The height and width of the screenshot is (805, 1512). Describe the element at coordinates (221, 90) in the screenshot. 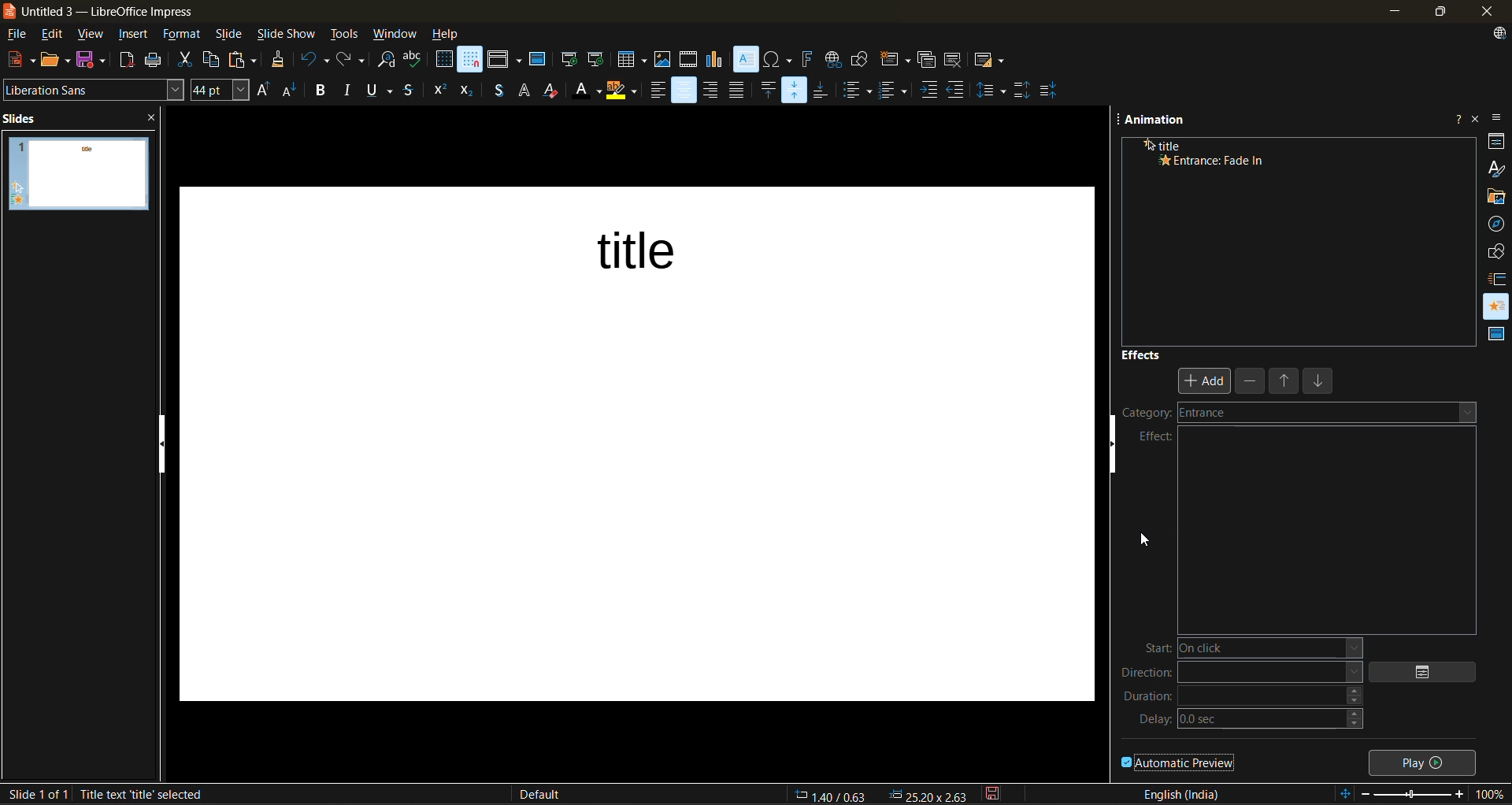

I see `font size` at that location.